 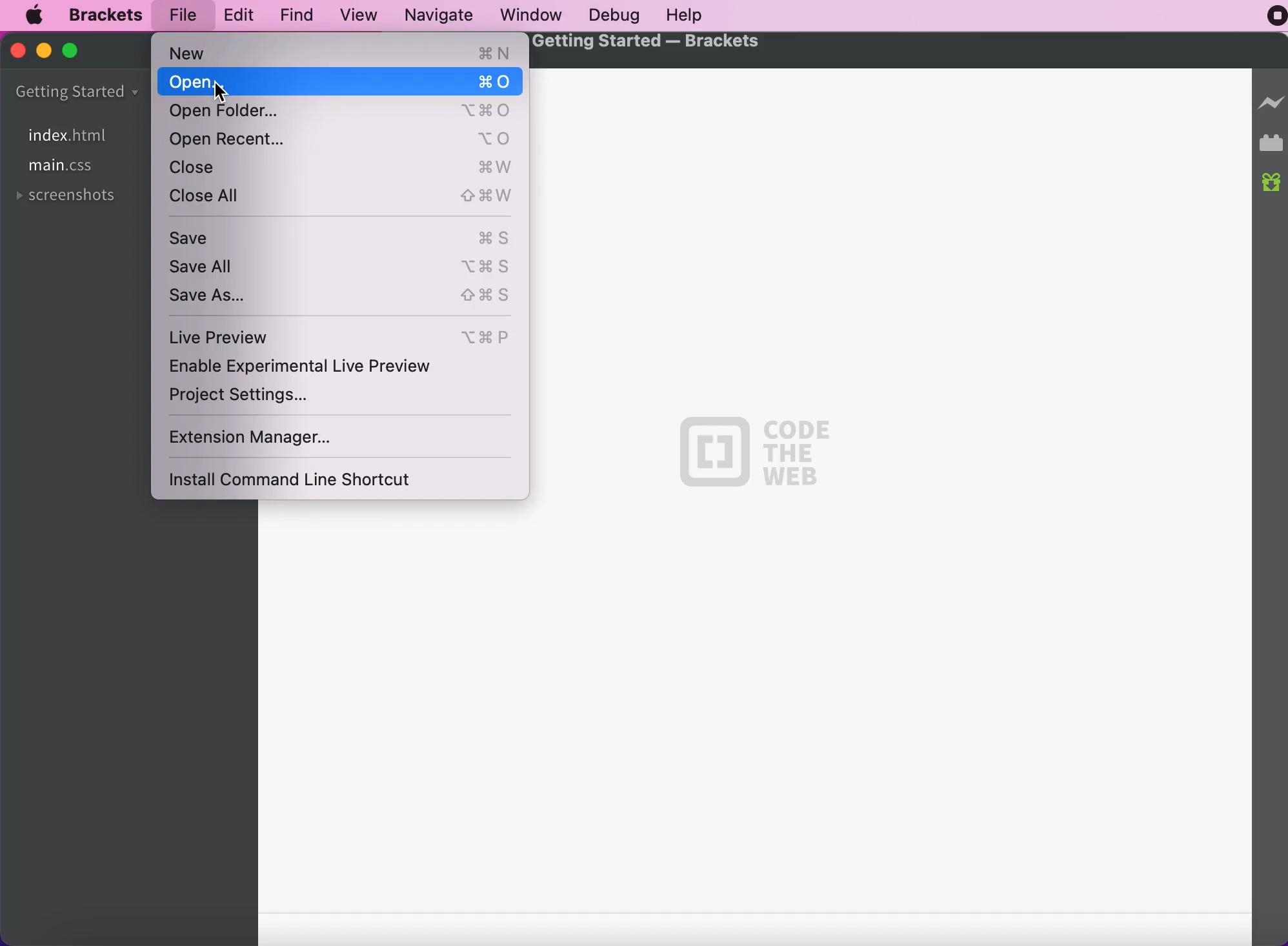 I want to click on mac logo, so click(x=35, y=17).